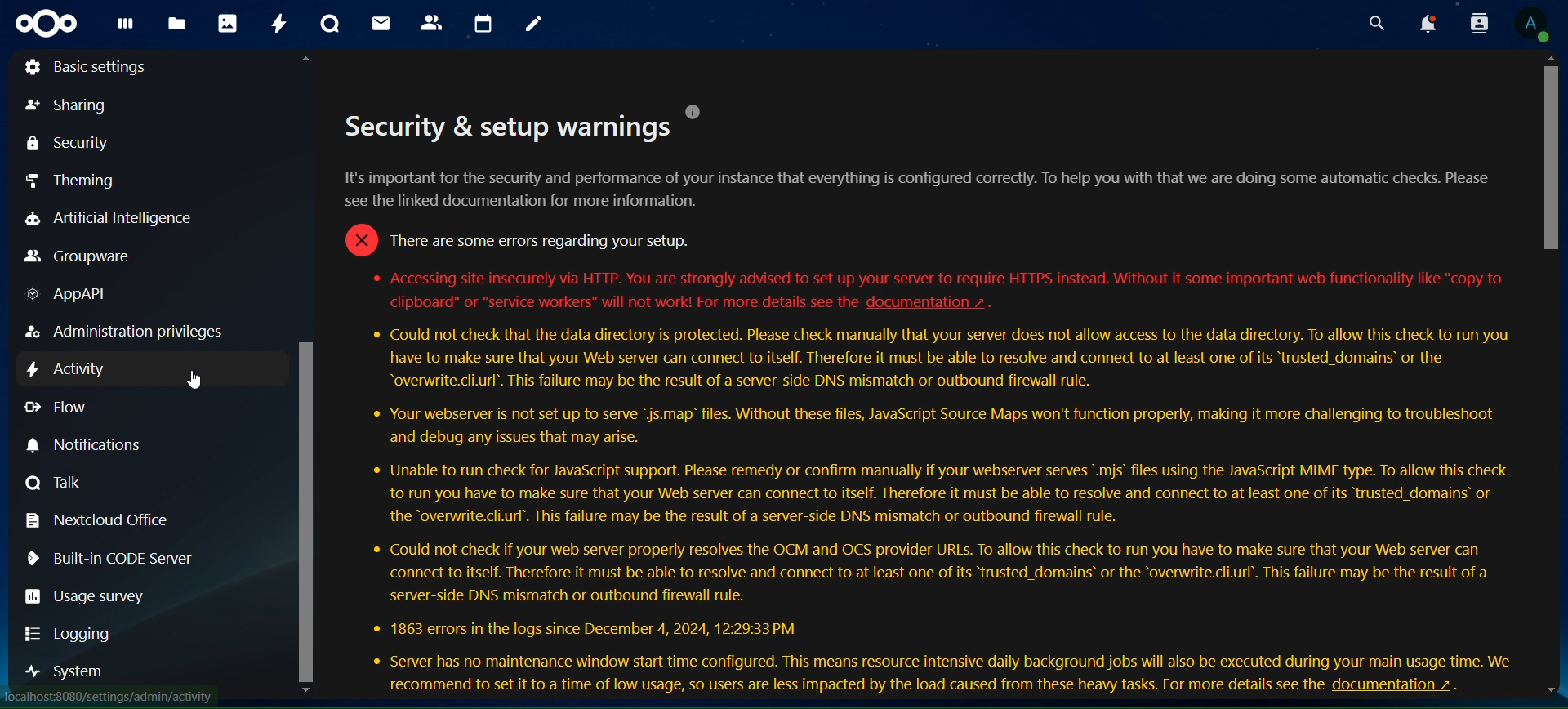 The image size is (1568, 709). I want to click on theming, so click(72, 181).